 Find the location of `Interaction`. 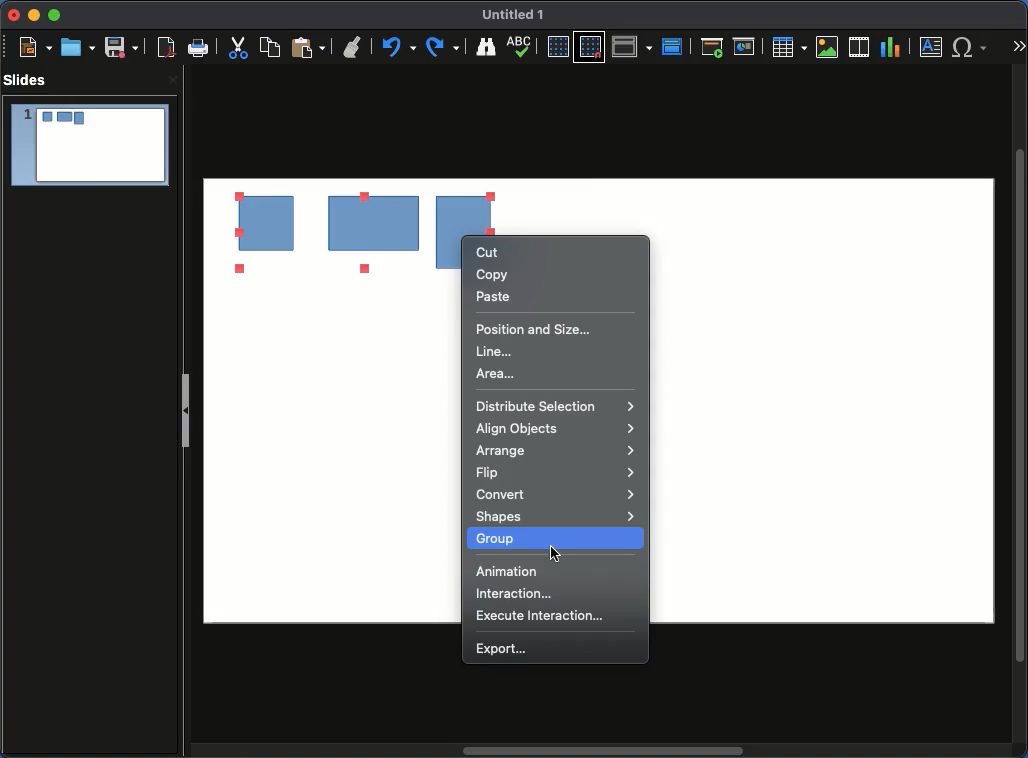

Interaction is located at coordinates (515, 594).